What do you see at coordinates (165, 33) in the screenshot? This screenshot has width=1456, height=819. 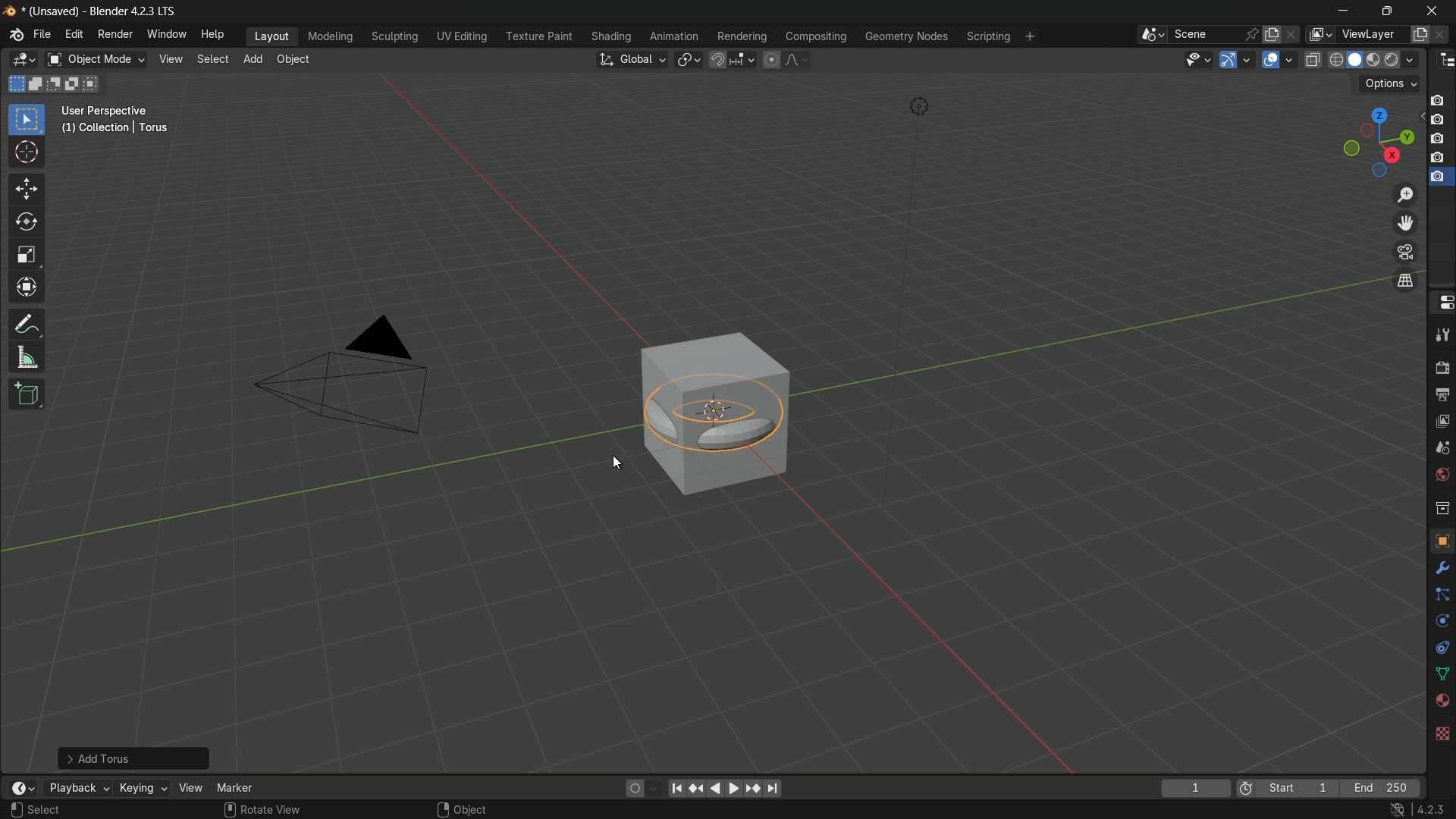 I see `window menu` at bounding box center [165, 33].